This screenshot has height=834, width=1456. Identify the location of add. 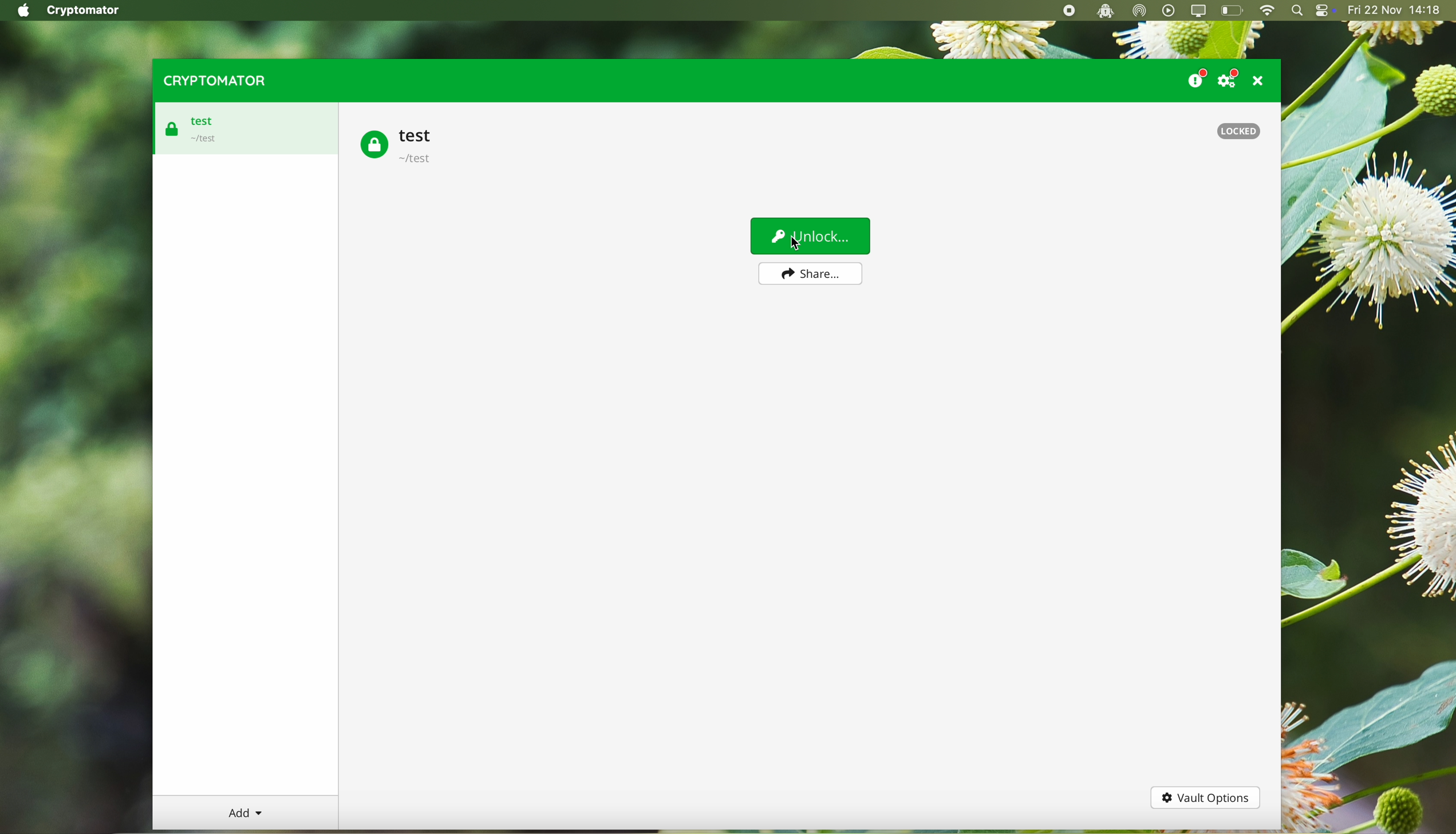
(246, 813).